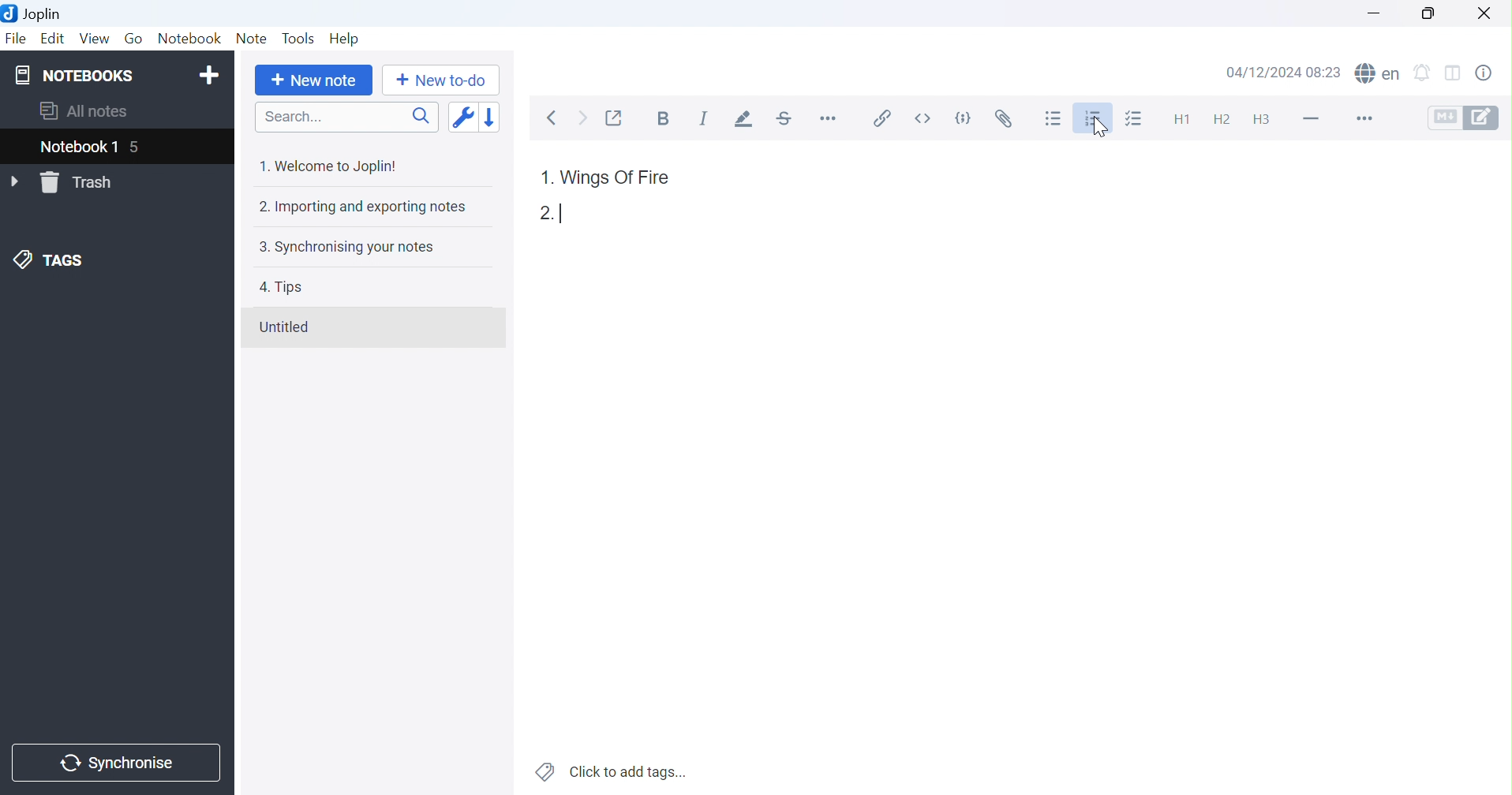 The width and height of the screenshot is (1512, 795). What do you see at coordinates (616, 177) in the screenshot?
I see `Wings of Fire` at bounding box center [616, 177].